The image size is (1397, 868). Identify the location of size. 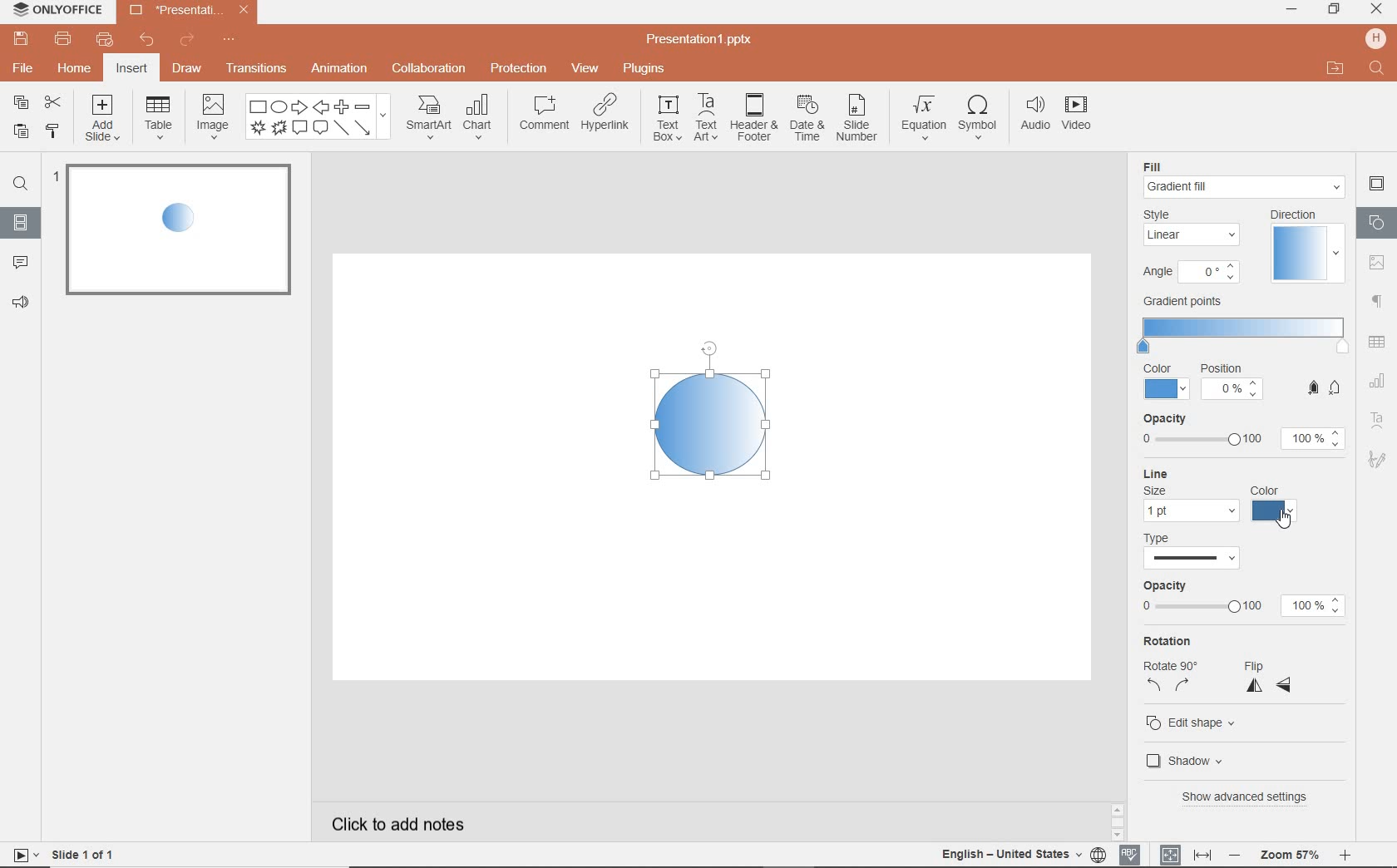
(1155, 491).